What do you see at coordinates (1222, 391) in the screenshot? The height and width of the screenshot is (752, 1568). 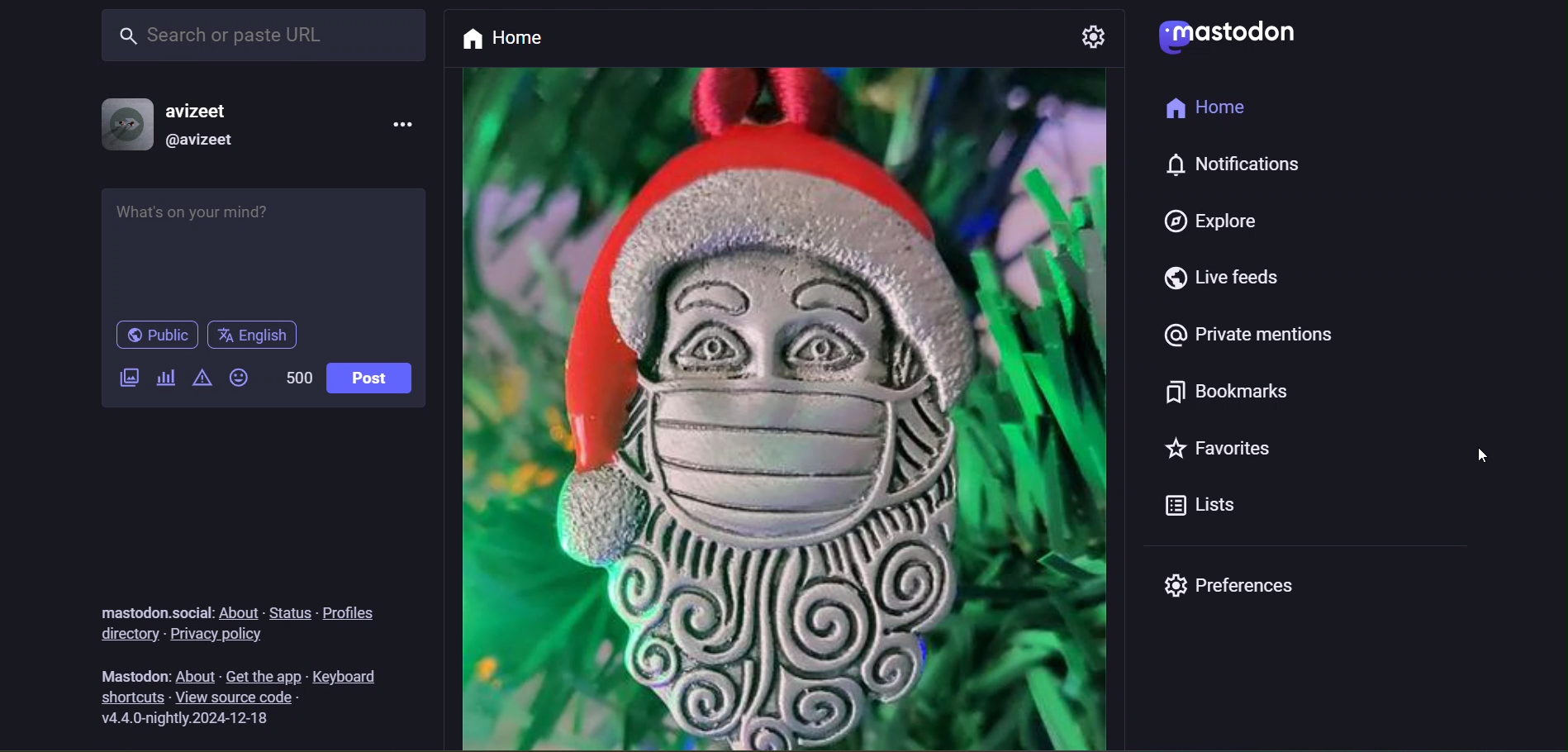 I see `bookmarks` at bounding box center [1222, 391].